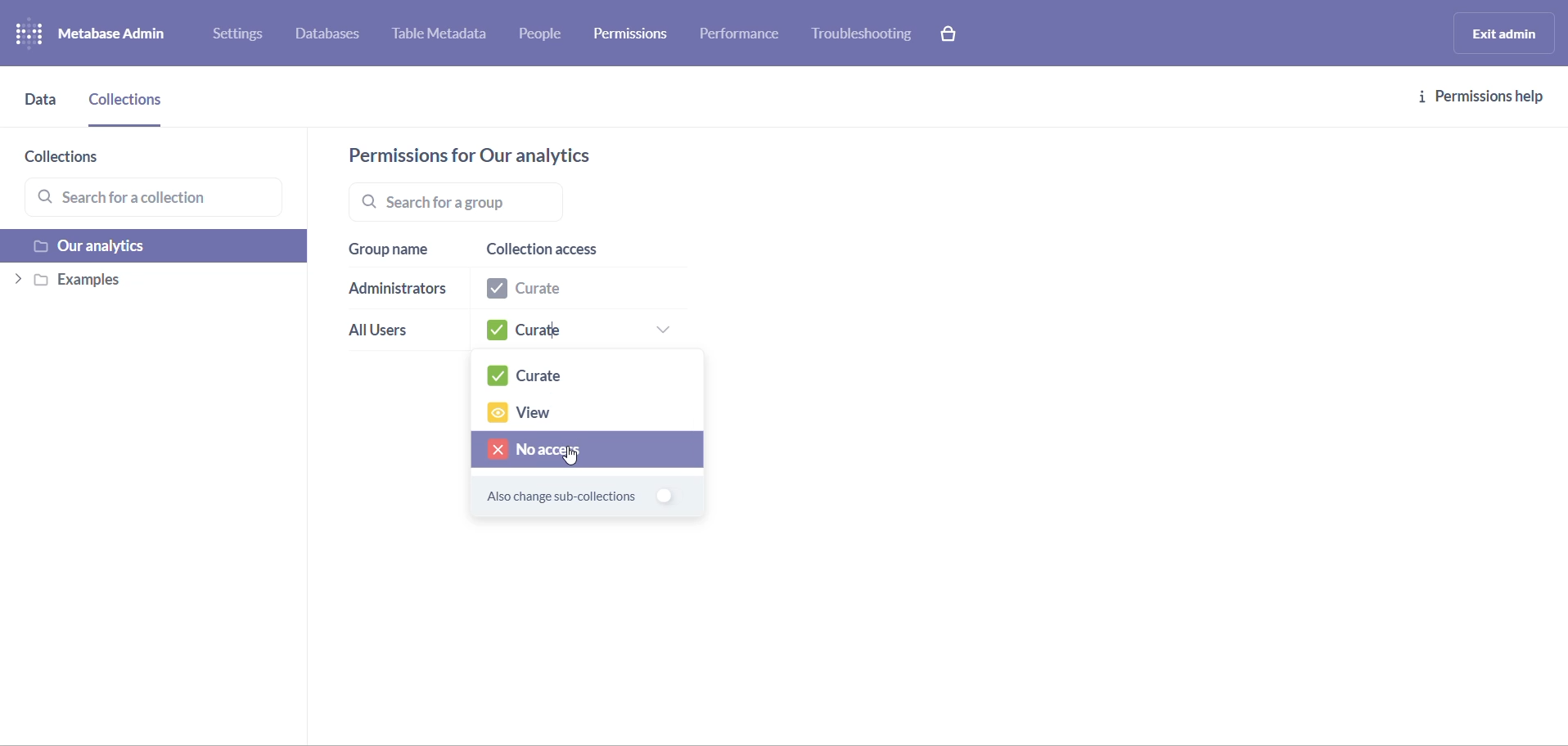 This screenshot has height=746, width=1568. What do you see at coordinates (573, 251) in the screenshot?
I see `collection access heading` at bounding box center [573, 251].